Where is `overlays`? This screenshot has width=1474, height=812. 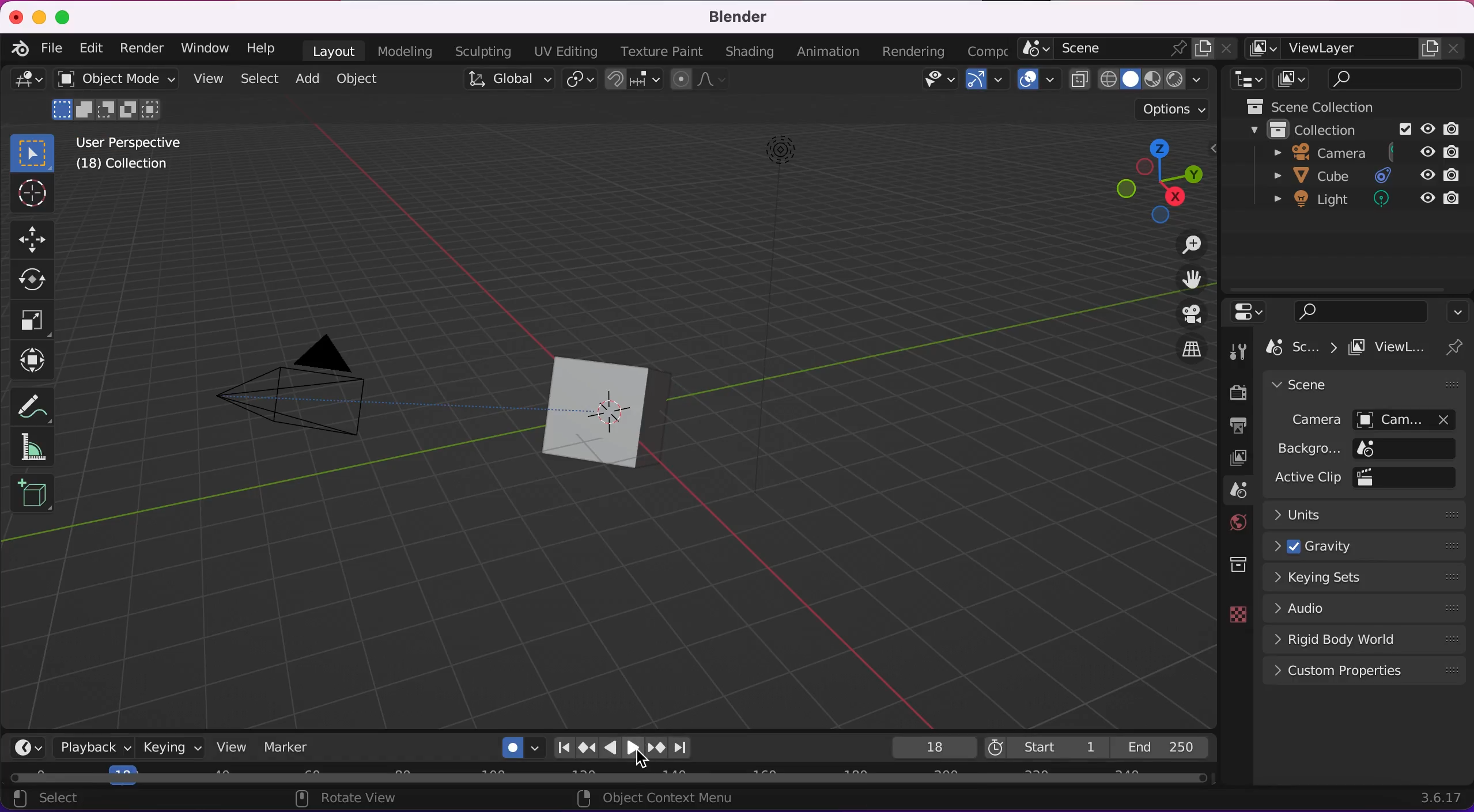 overlays is located at coordinates (1033, 84).